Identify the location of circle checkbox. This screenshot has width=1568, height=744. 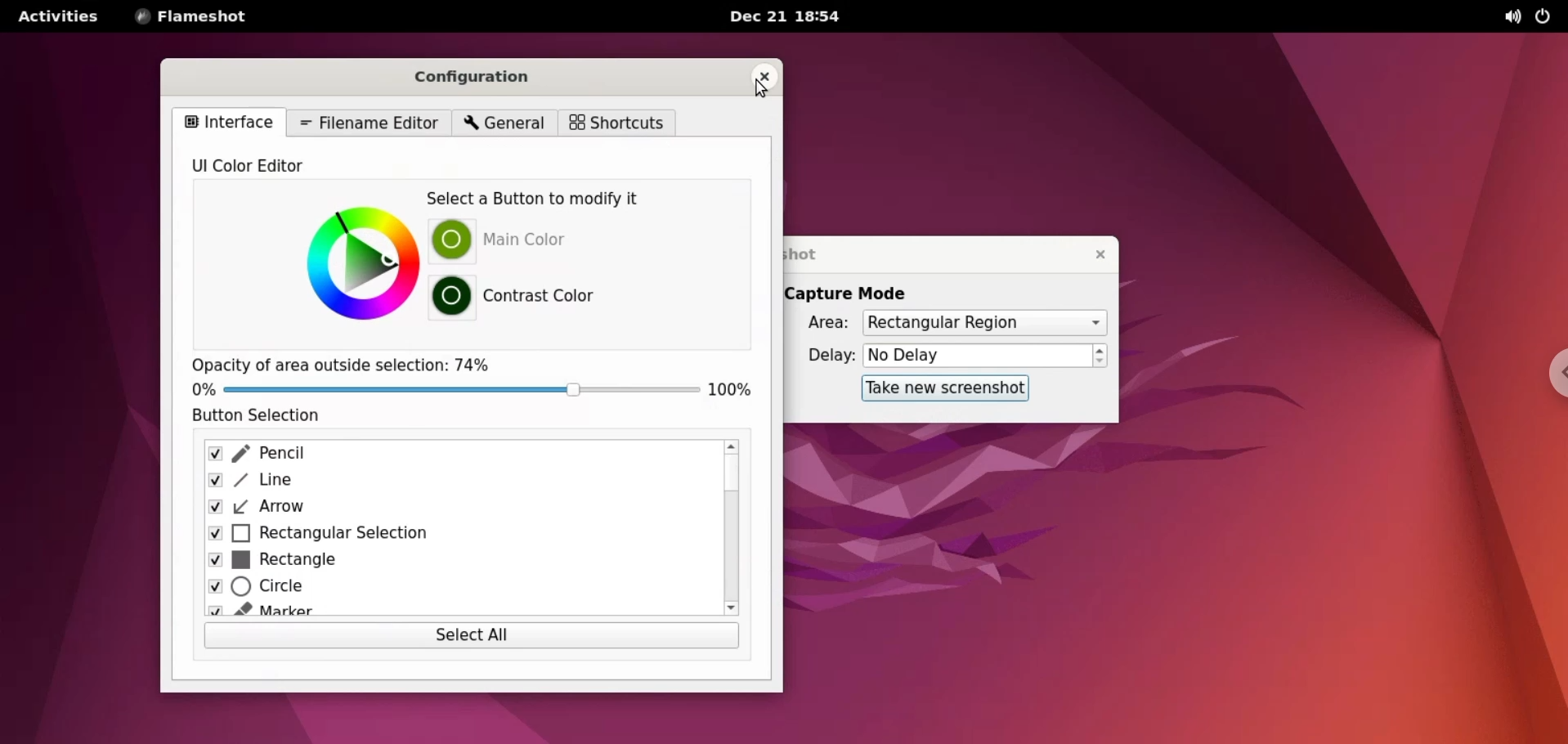
(450, 589).